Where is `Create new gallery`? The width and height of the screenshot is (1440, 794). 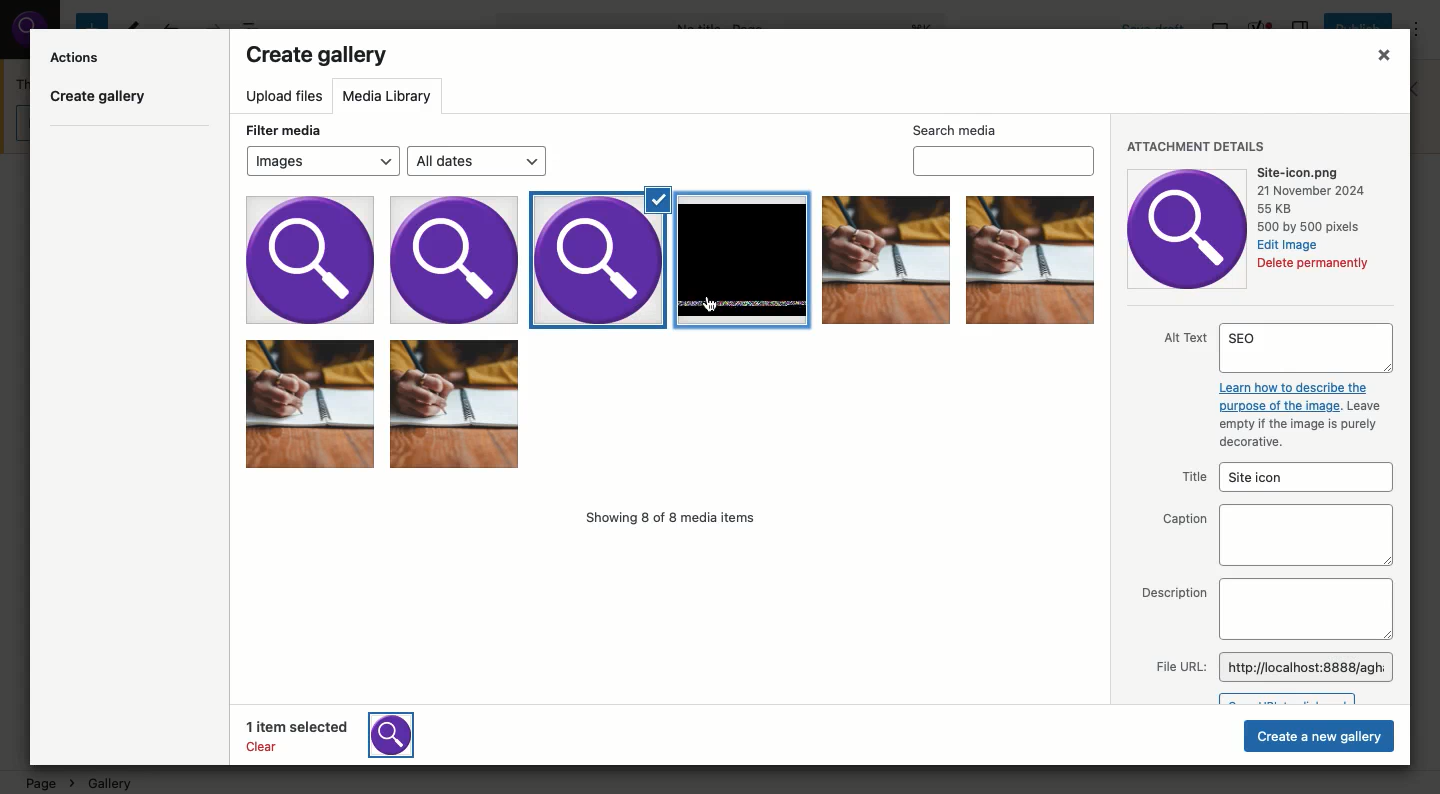
Create new gallery is located at coordinates (1320, 737).